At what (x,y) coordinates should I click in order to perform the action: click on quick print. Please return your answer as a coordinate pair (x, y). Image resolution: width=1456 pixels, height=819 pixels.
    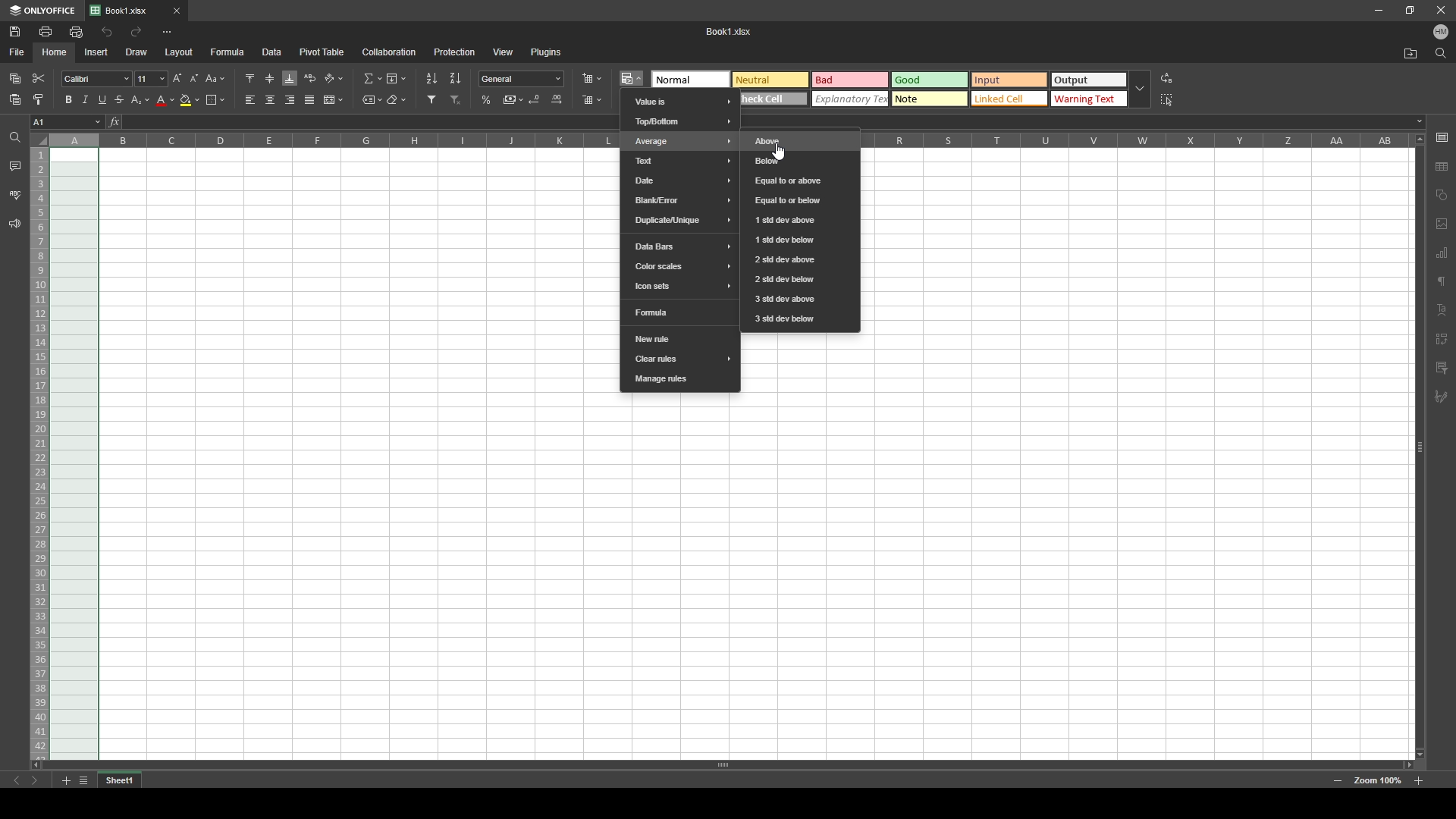
    Looking at the image, I should click on (75, 31).